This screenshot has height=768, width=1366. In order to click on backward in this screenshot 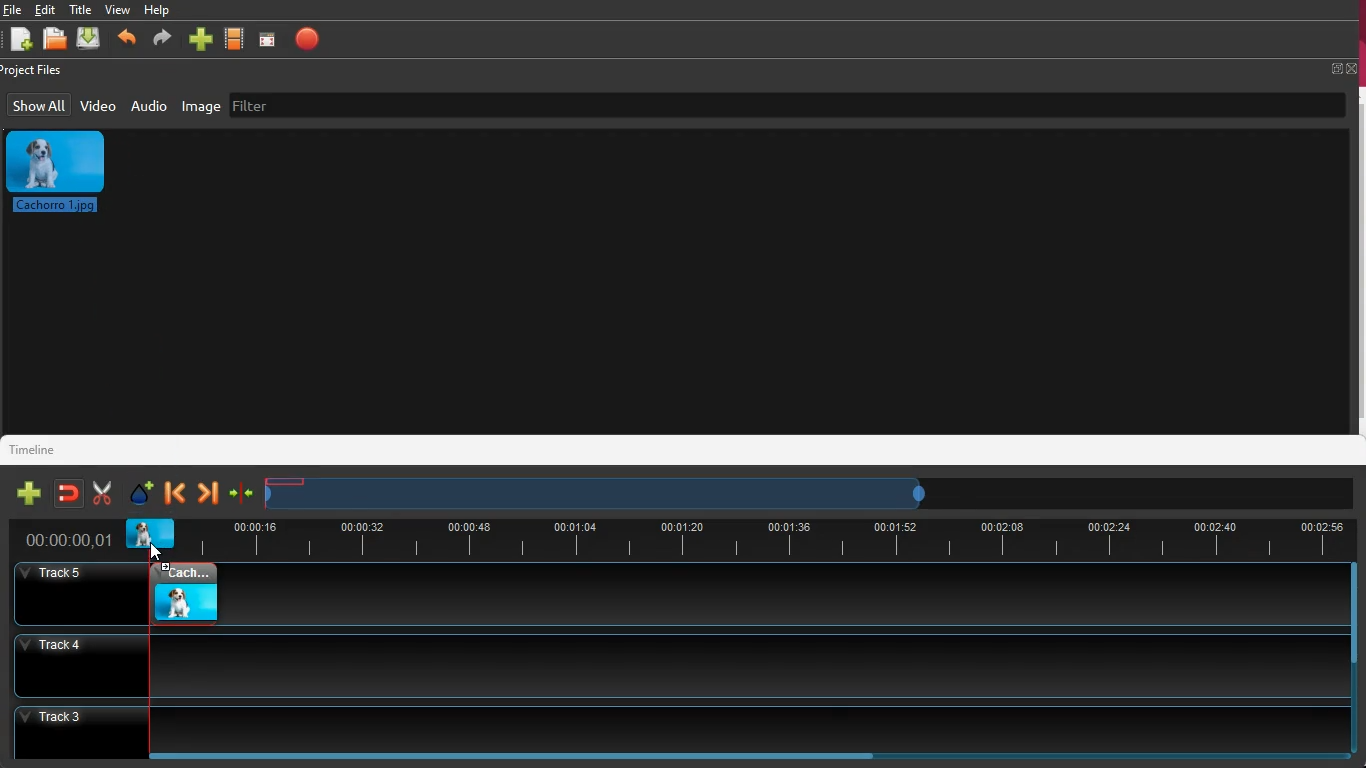, I will do `click(128, 37)`.